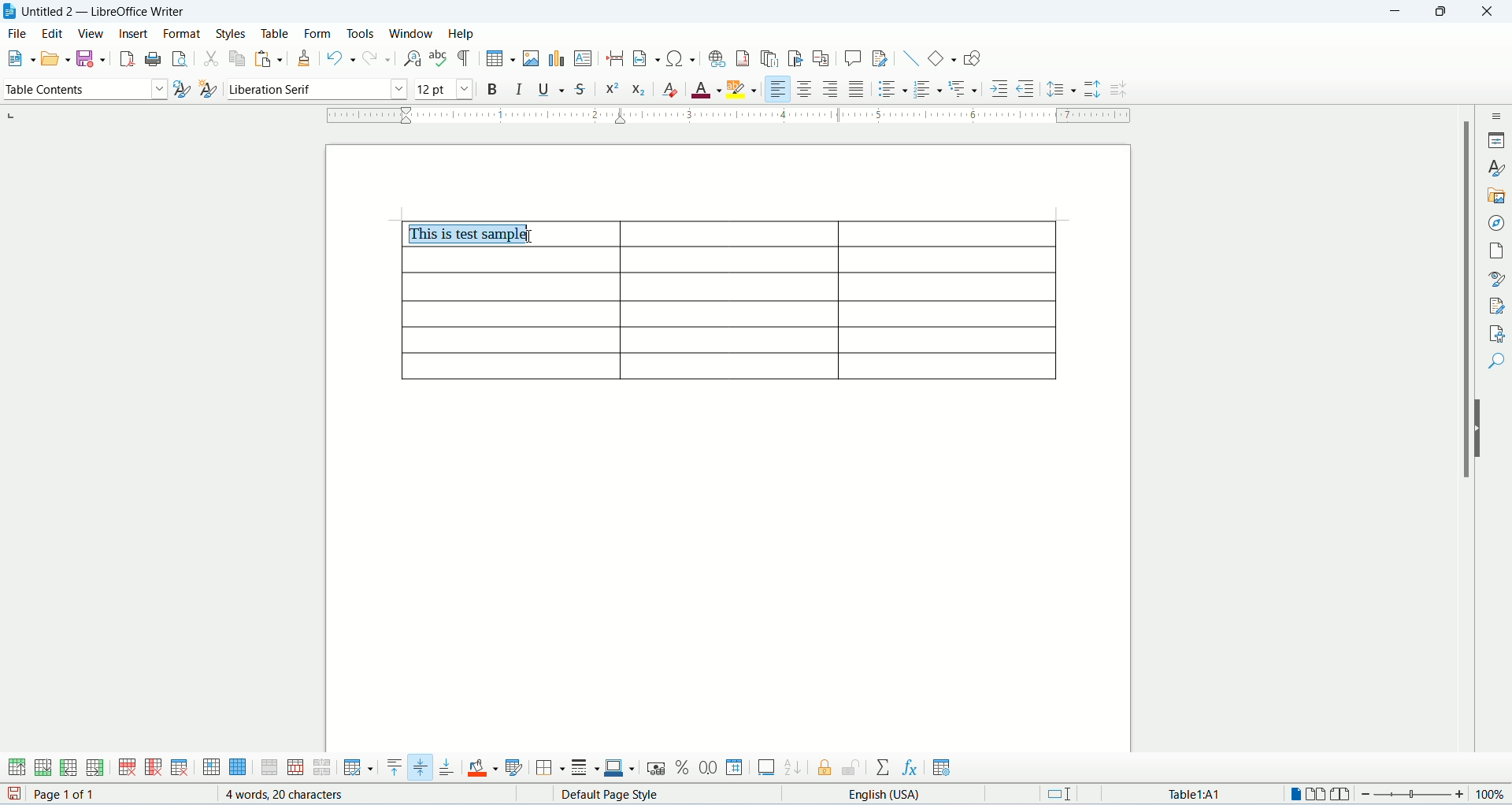 Image resolution: width=1512 pixels, height=805 pixels. What do you see at coordinates (718, 57) in the screenshot?
I see `insert hyperlink` at bounding box center [718, 57].